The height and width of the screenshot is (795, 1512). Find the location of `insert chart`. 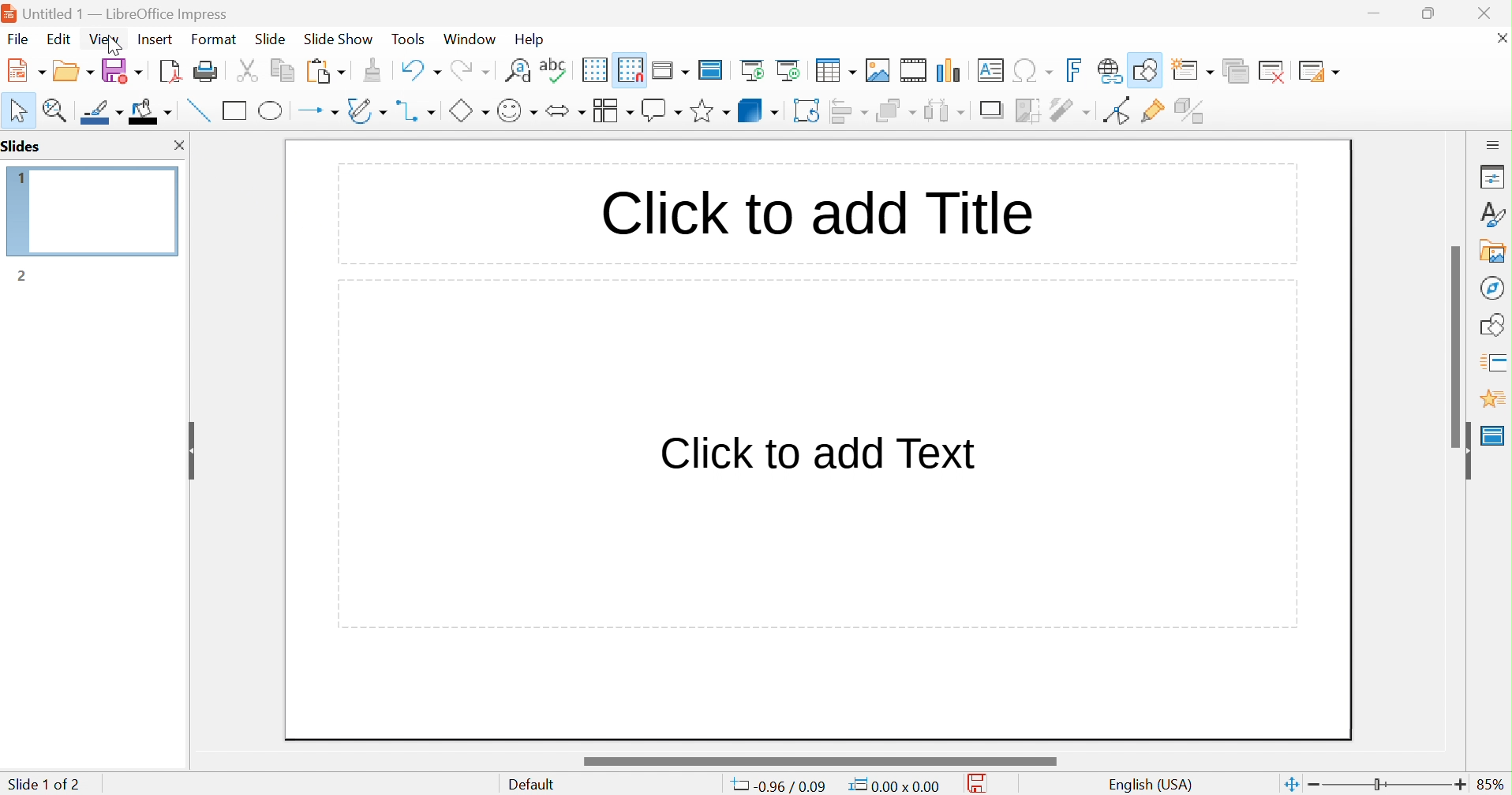

insert chart is located at coordinates (951, 70).